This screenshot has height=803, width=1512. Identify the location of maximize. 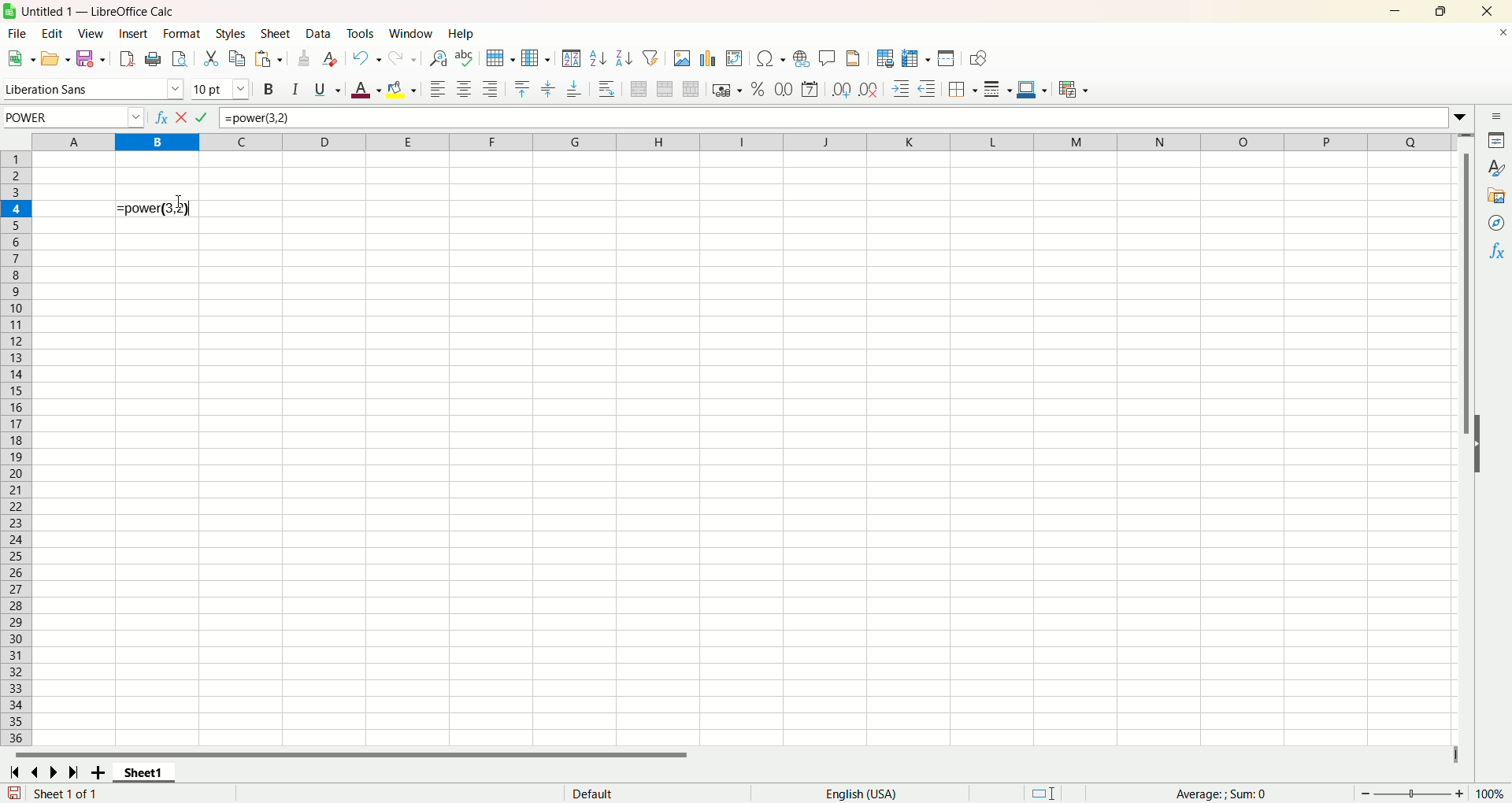
(1443, 12).